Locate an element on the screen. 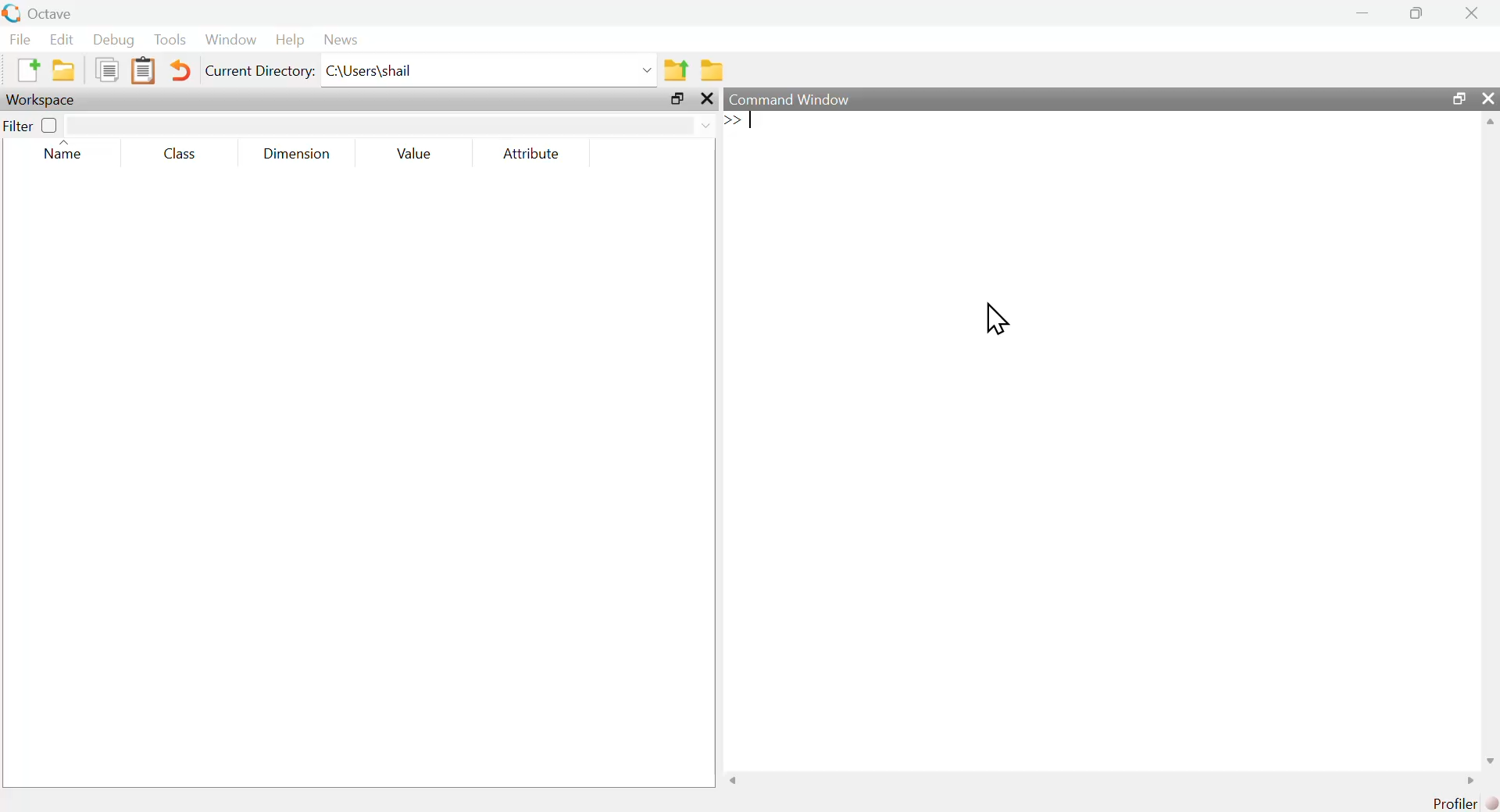 This screenshot has height=812, width=1500. Current Directory: is located at coordinates (261, 72).